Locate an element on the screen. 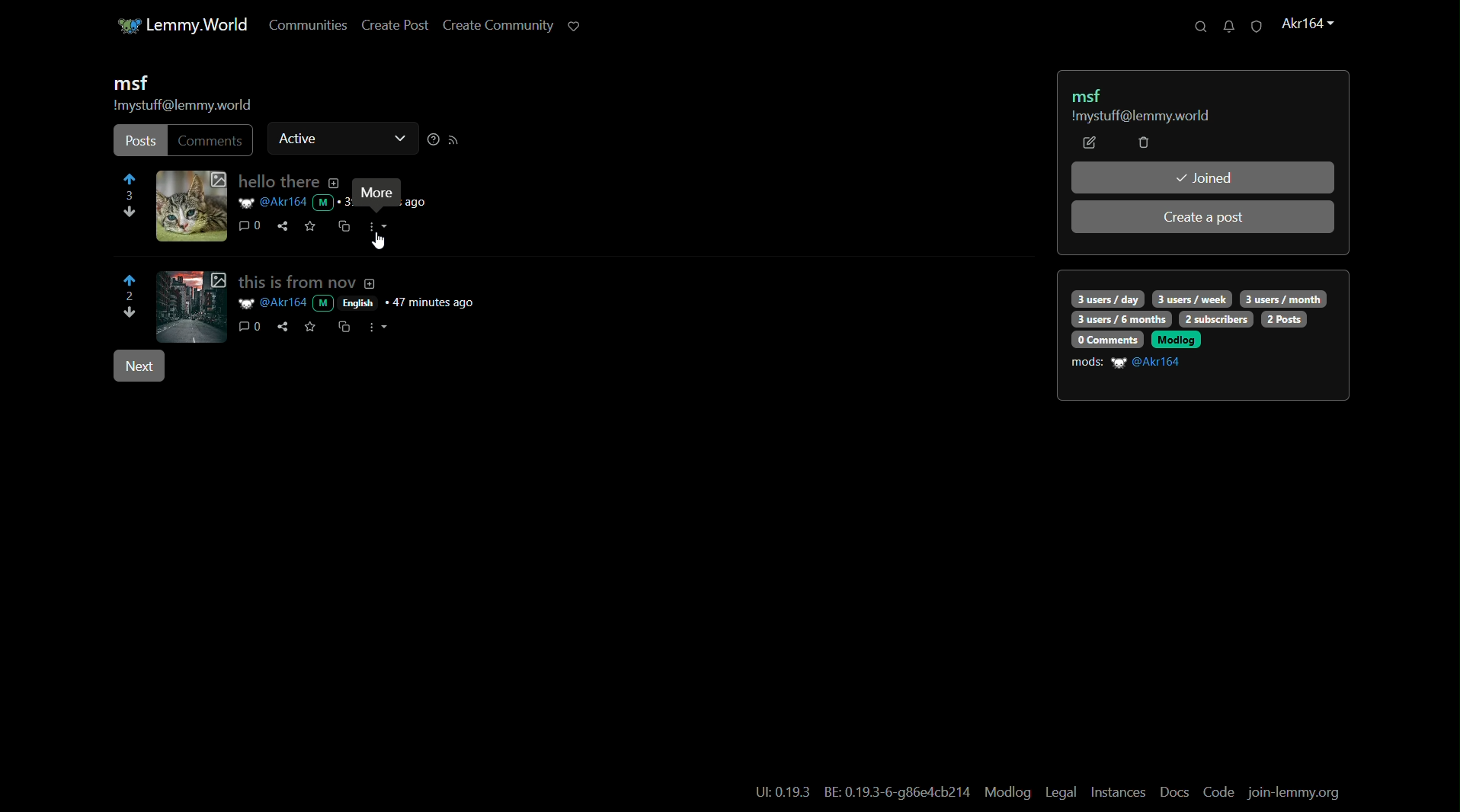  cross post is located at coordinates (343, 228).